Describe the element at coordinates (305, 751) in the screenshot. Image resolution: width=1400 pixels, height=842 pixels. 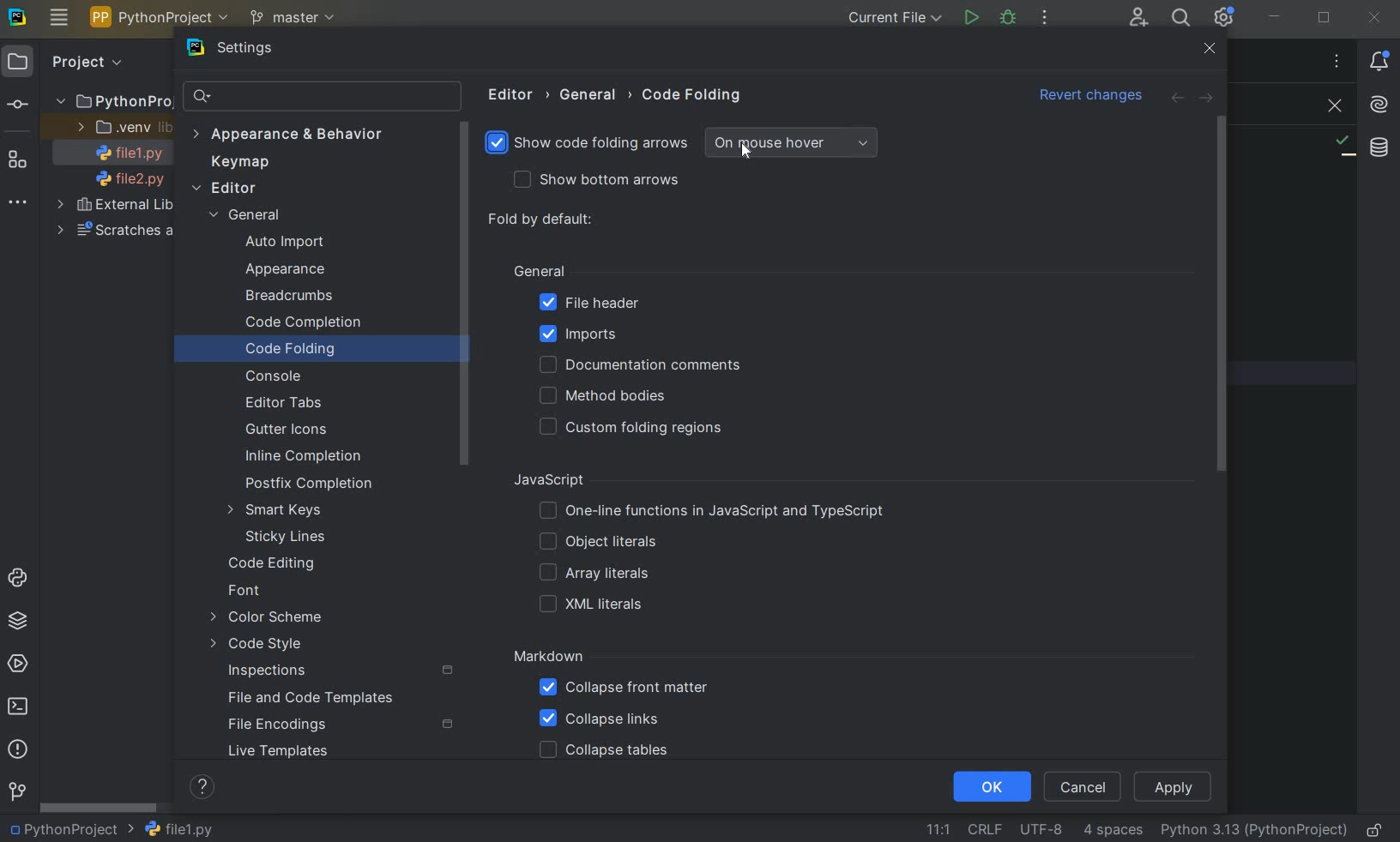
I see `LIVE TEMPLATES` at that location.